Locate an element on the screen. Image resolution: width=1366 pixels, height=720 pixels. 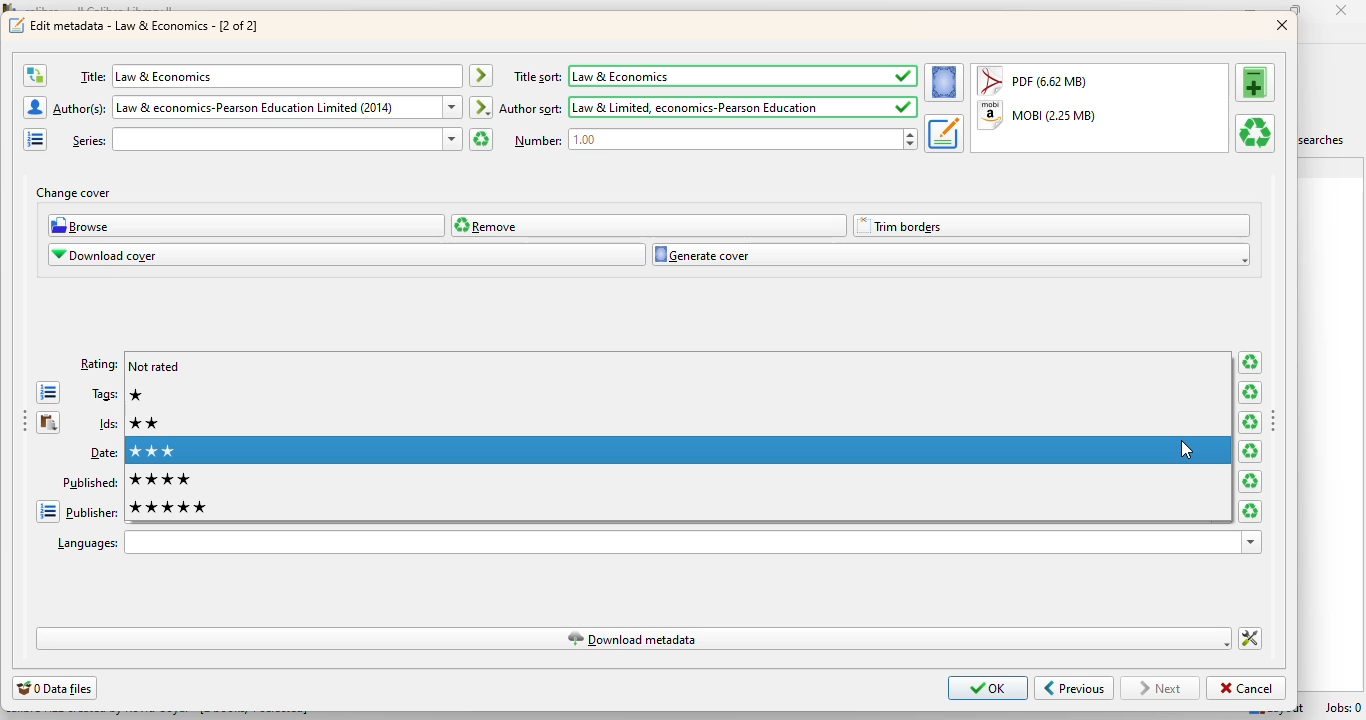
author(s): law & economics- Pearson education limited (2024) is located at coordinates (256, 107).